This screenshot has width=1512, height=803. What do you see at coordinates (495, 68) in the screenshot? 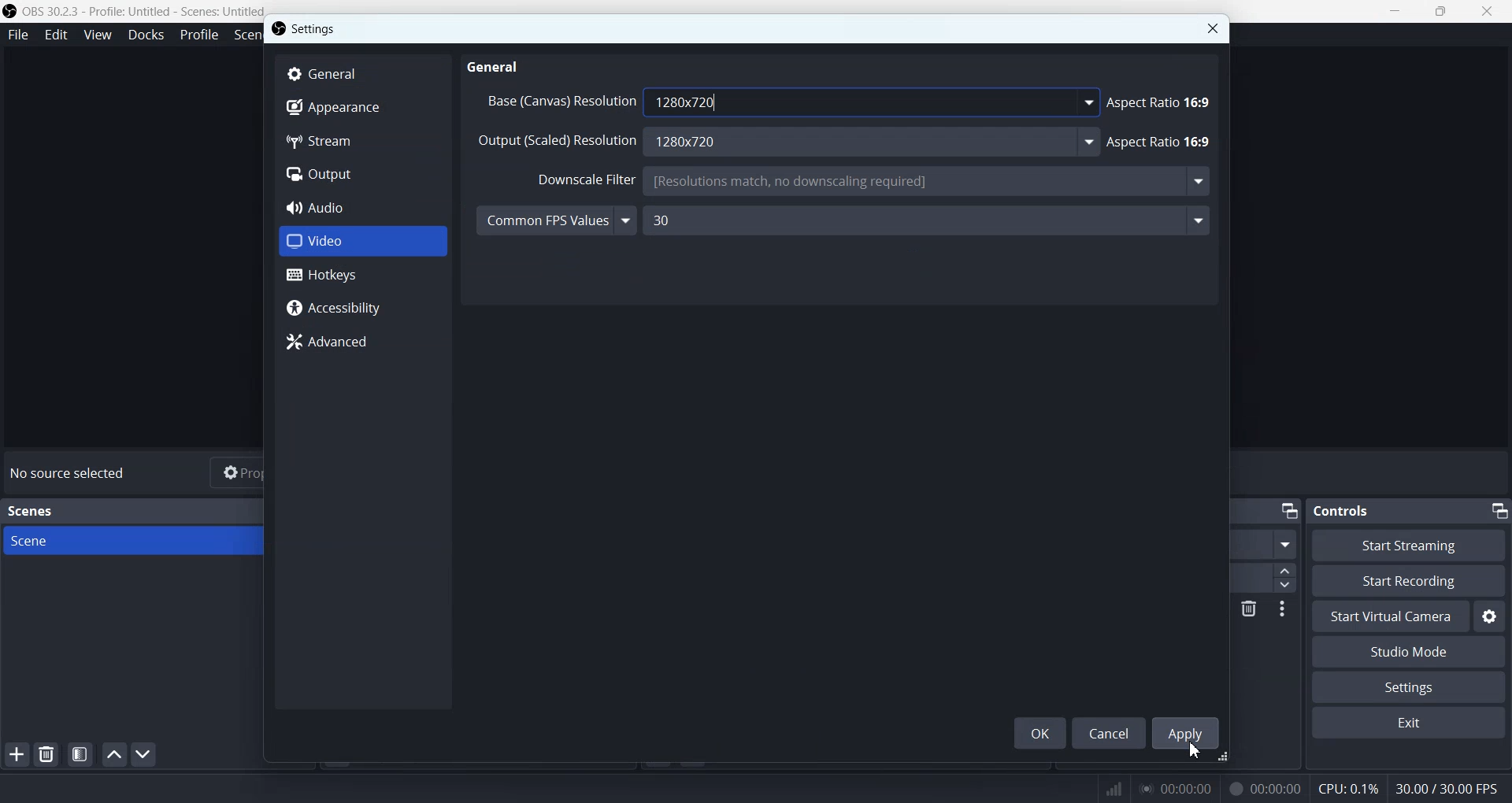
I see `General` at bounding box center [495, 68].